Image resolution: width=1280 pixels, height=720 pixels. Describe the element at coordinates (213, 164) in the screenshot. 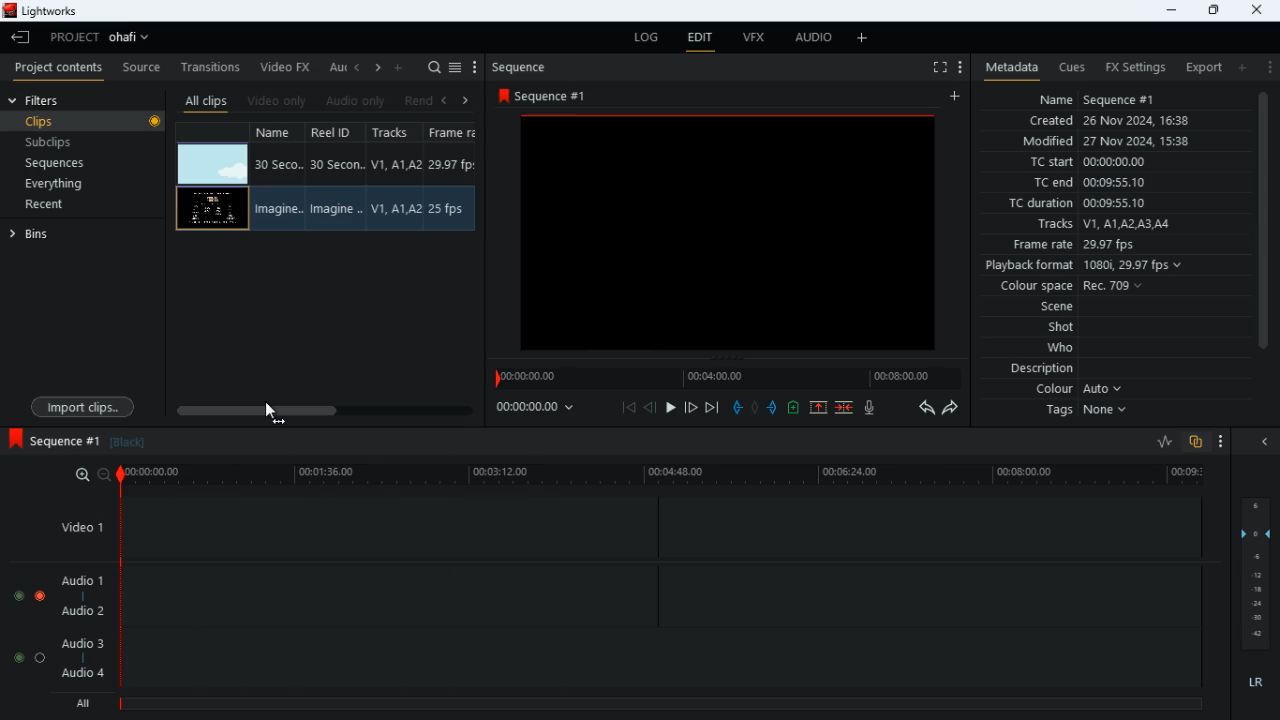

I see `videos` at that location.